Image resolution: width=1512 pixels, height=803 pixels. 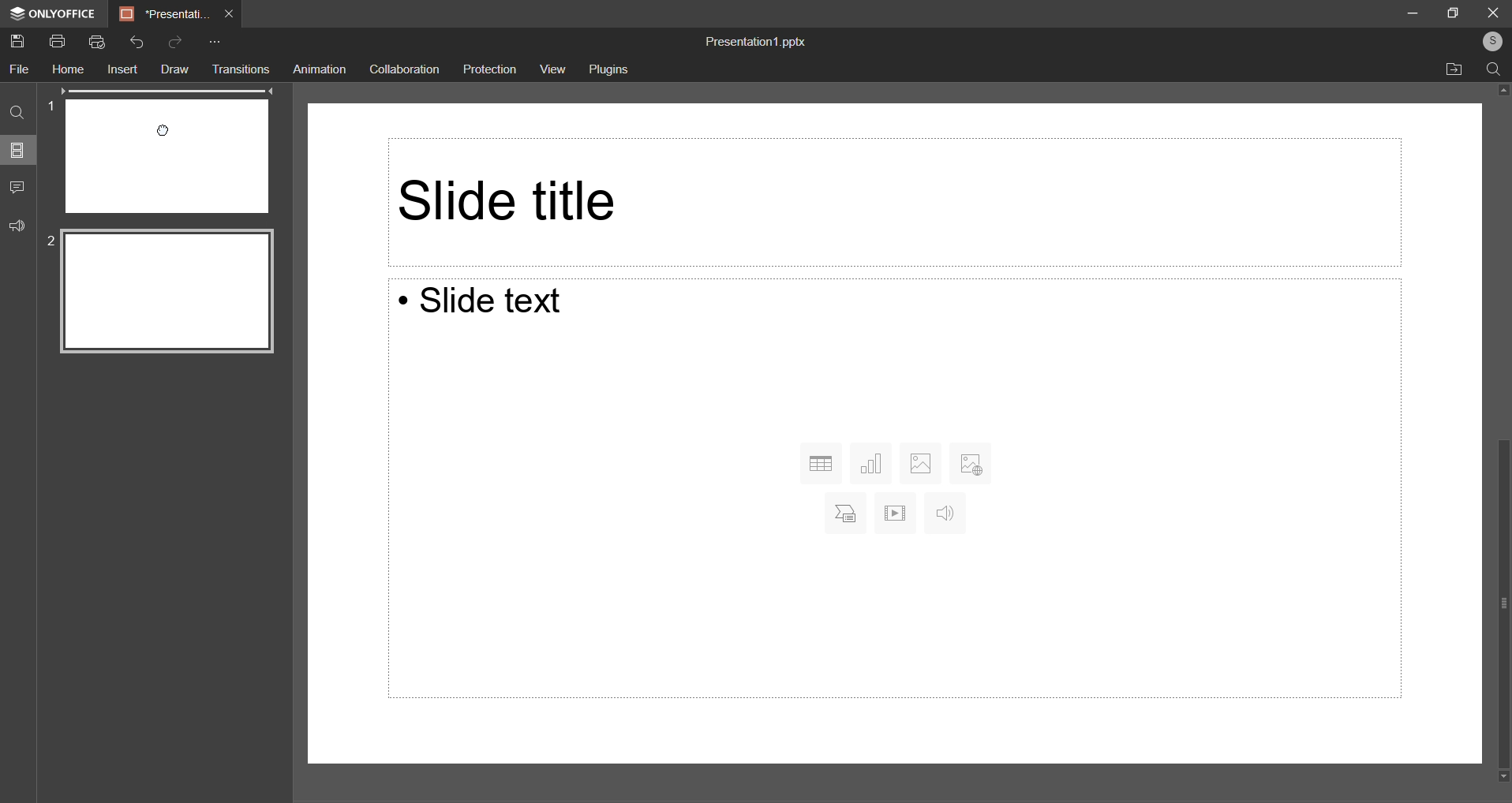 I want to click on Customize Quick Path, so click(x=212, y=44).